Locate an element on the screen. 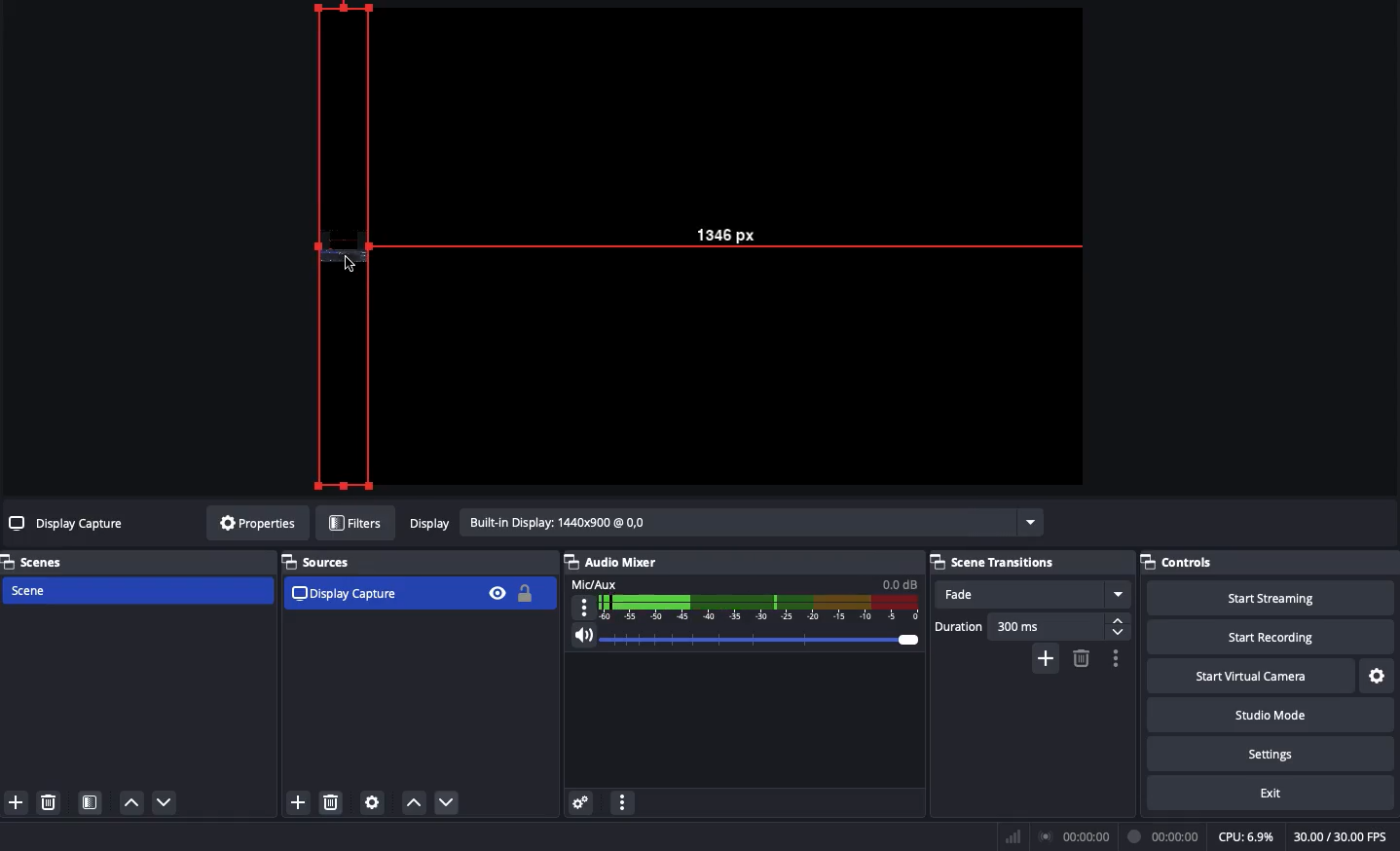 This screenshot has height=851, width=1400. Controls is located at coordinates (1270, 562).